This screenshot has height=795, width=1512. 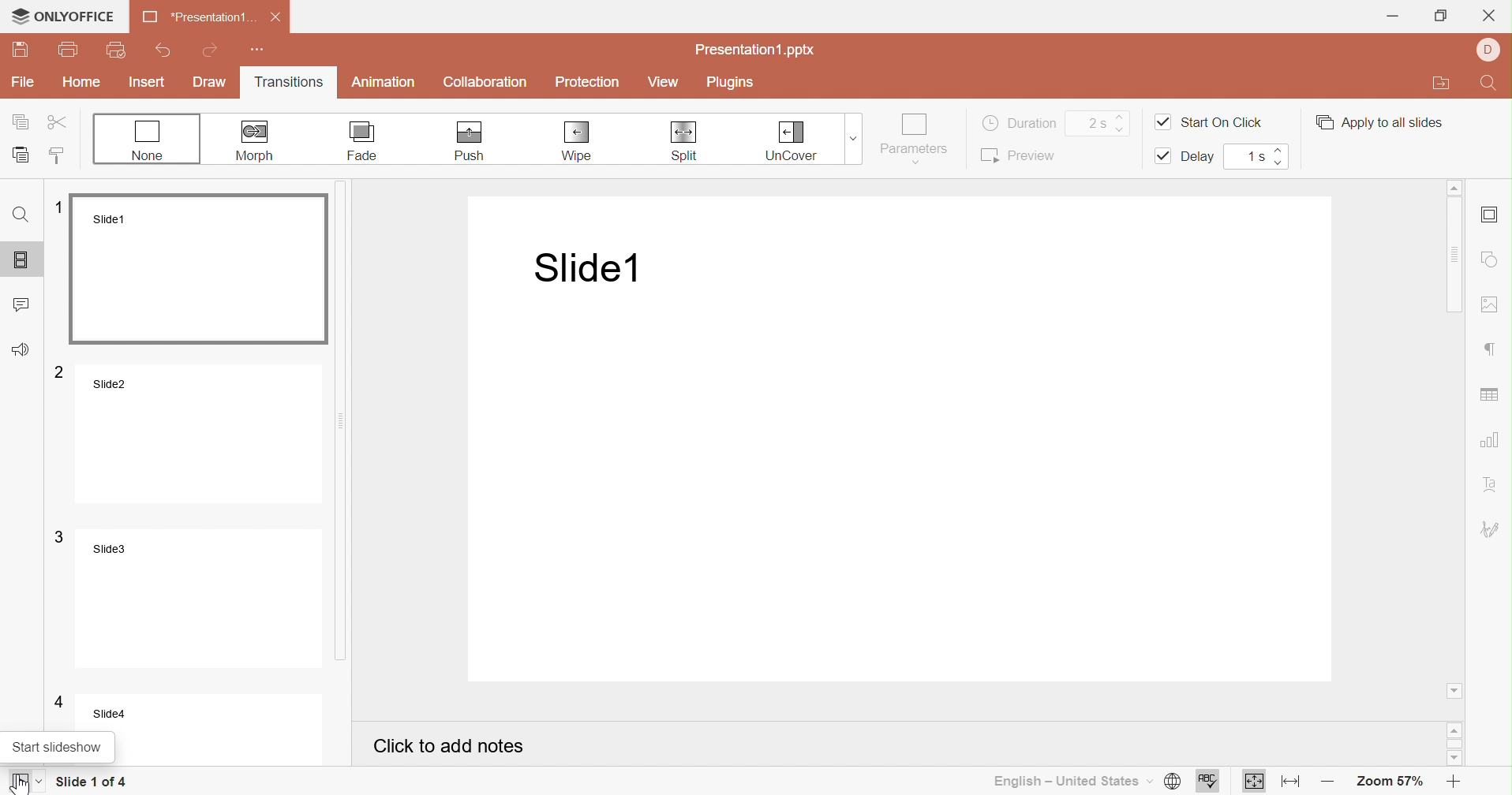 I want to click on Paragraph settings, so click(x=1496, y=350).